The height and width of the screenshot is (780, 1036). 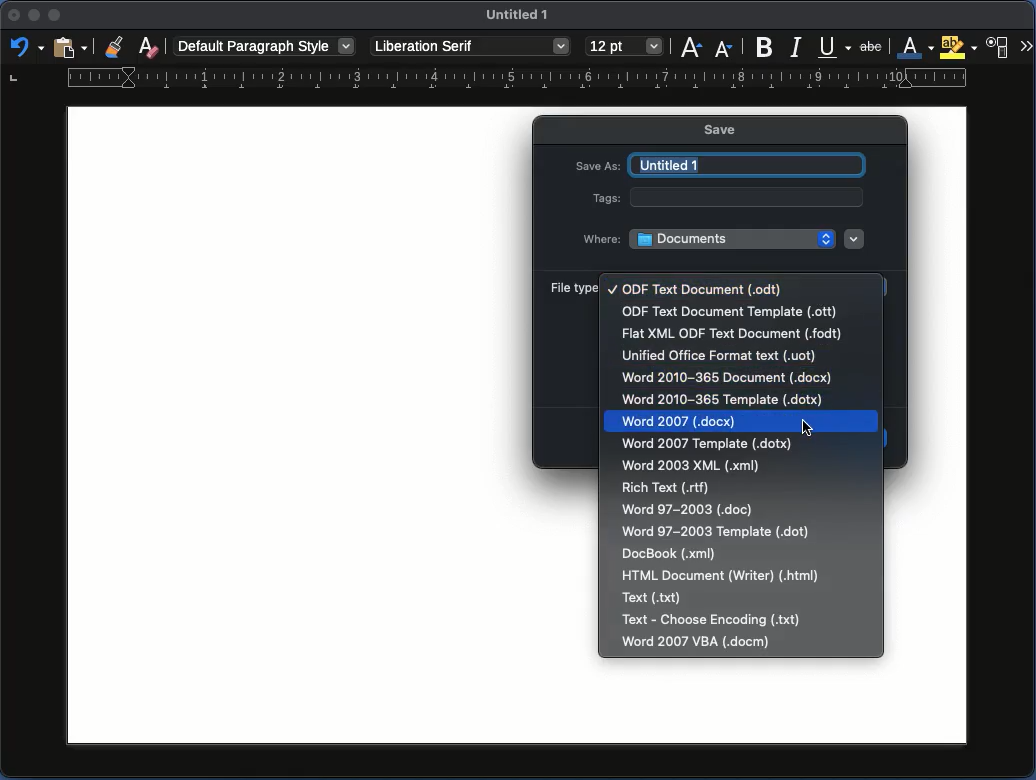 I want to click on xml, so click(x=672, y=554).